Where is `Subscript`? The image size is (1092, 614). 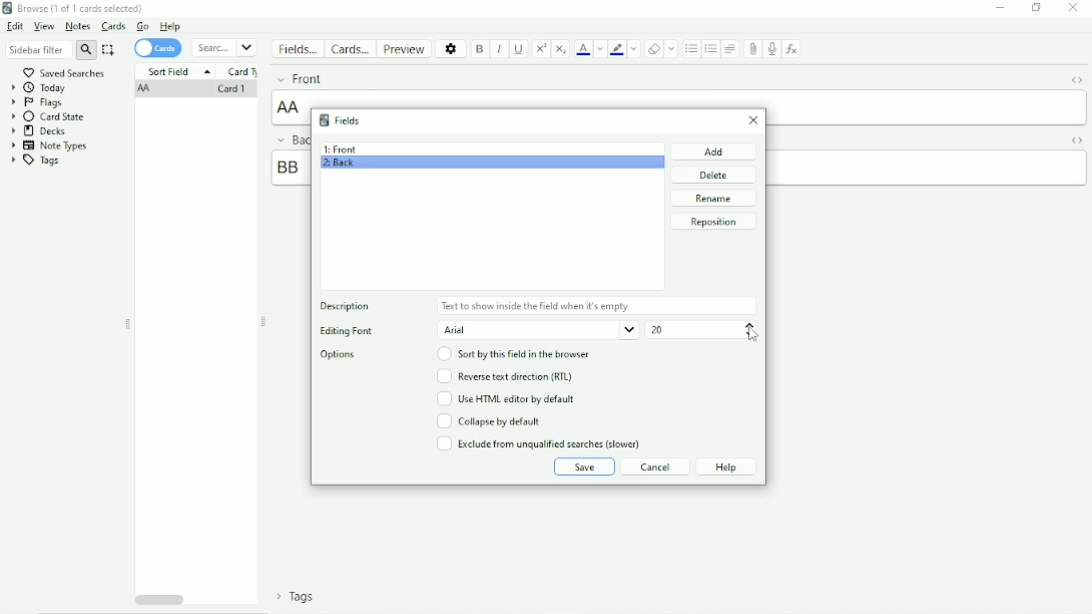 Subscript is located at coordinates (561, 49).